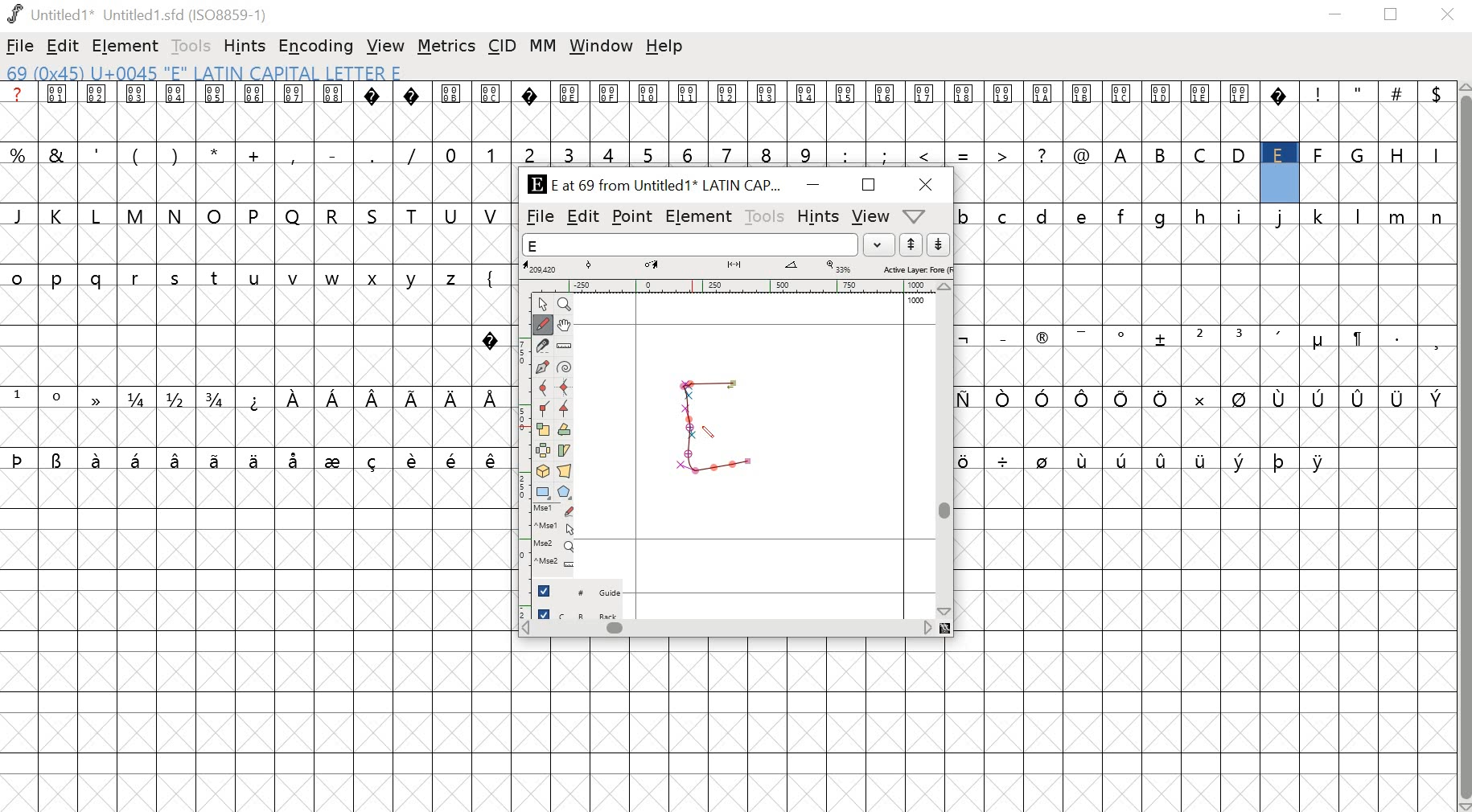 This screenshot has width=1472, height=812. I want to click on Mouse wheel button + Ctrl, so click(553, 563).